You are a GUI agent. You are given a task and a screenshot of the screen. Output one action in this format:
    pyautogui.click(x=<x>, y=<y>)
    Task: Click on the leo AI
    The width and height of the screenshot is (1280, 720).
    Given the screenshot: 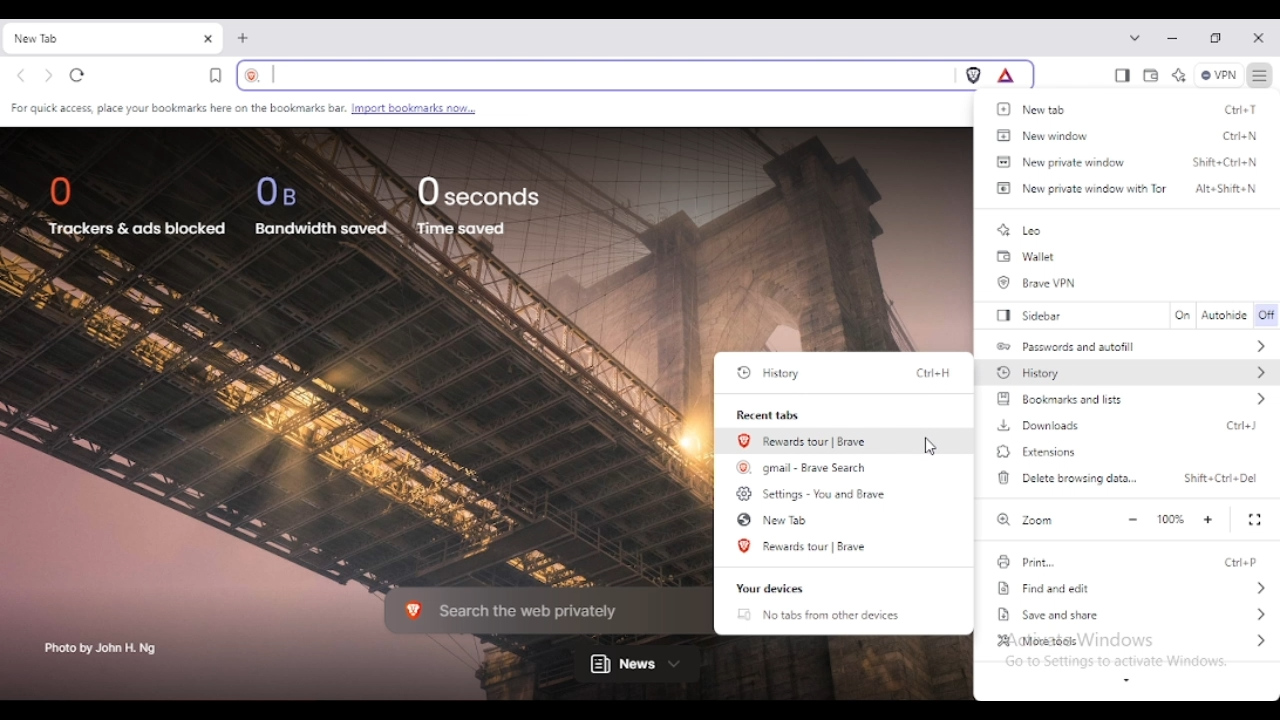 What is the action you would take?
    pyautogui.click(x=1178, y=77)
    